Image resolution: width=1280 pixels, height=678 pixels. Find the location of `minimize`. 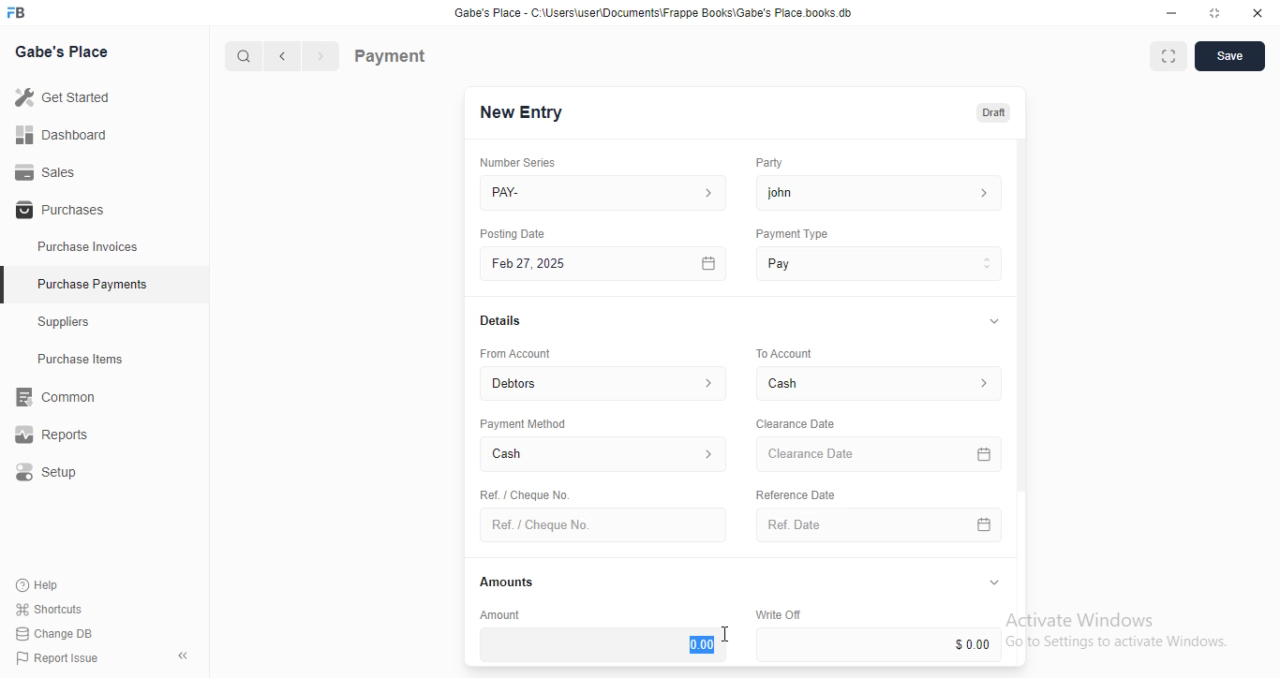

minimize is located at coordinates (1166, 12).